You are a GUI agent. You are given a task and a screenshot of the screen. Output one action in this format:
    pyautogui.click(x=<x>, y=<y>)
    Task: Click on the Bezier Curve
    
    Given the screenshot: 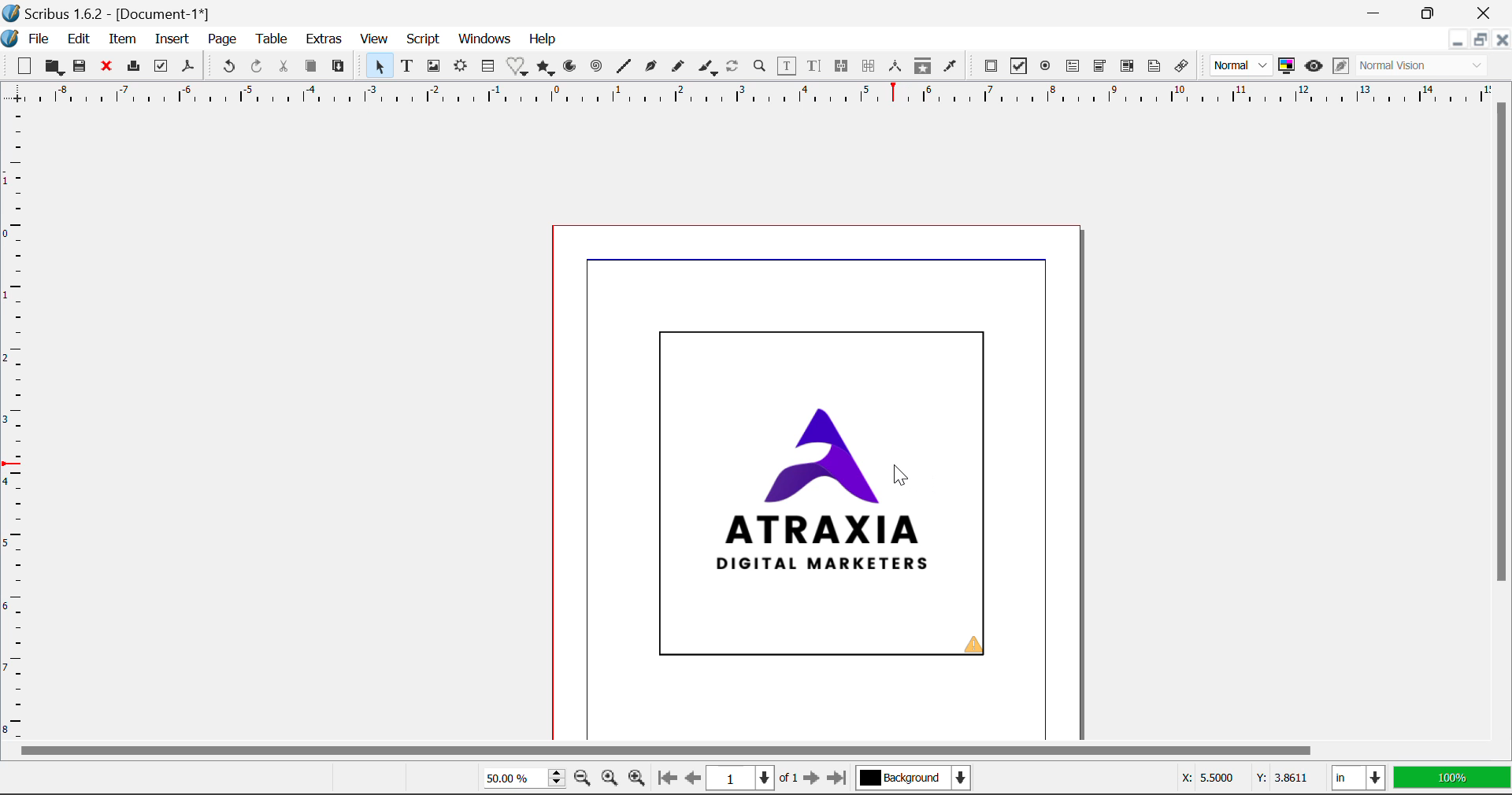 What is the action you would take?
    pyautogui.click(x=651, y=68)
    